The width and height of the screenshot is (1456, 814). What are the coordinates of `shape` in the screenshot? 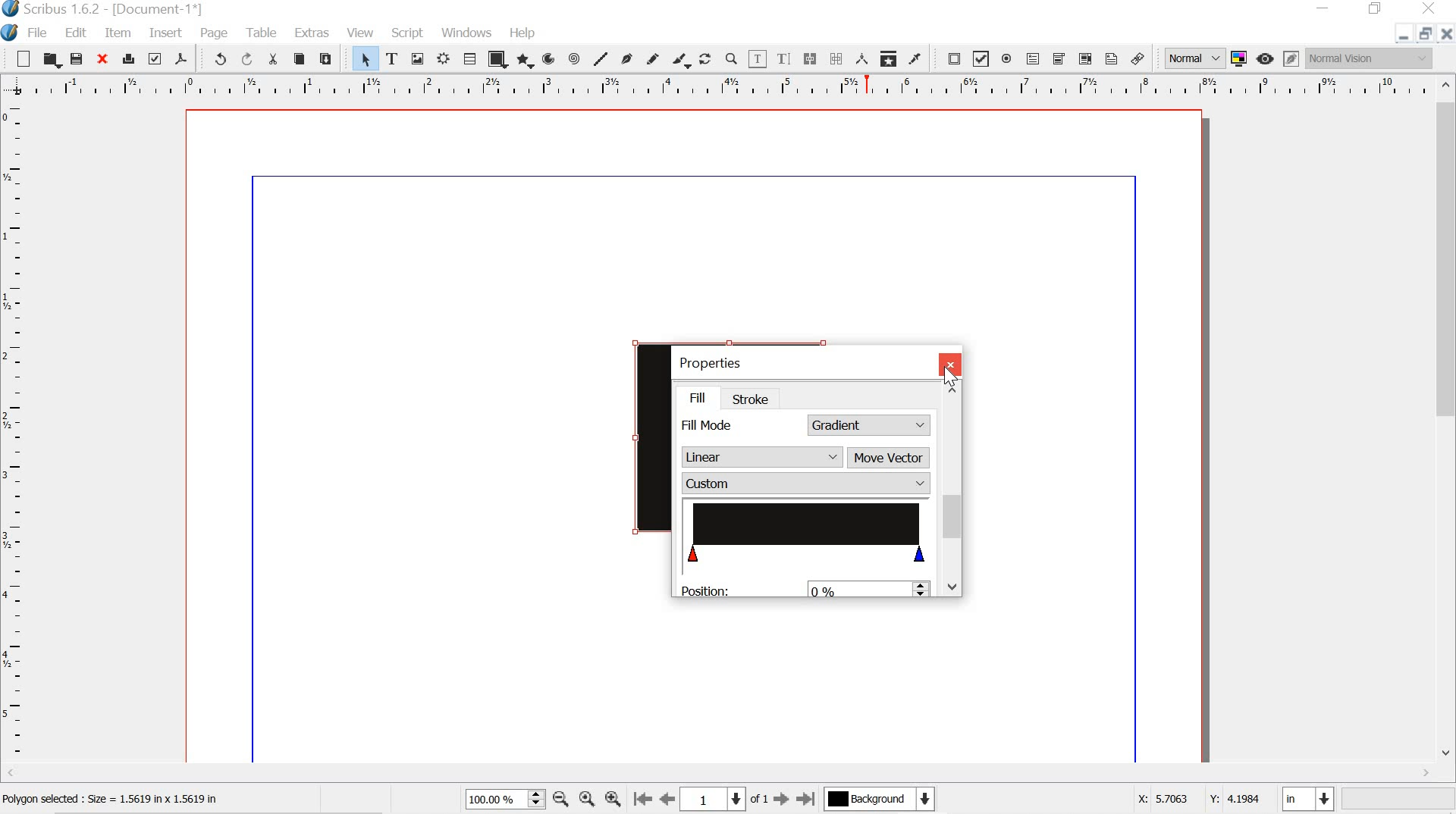 It's located at (497, 58).